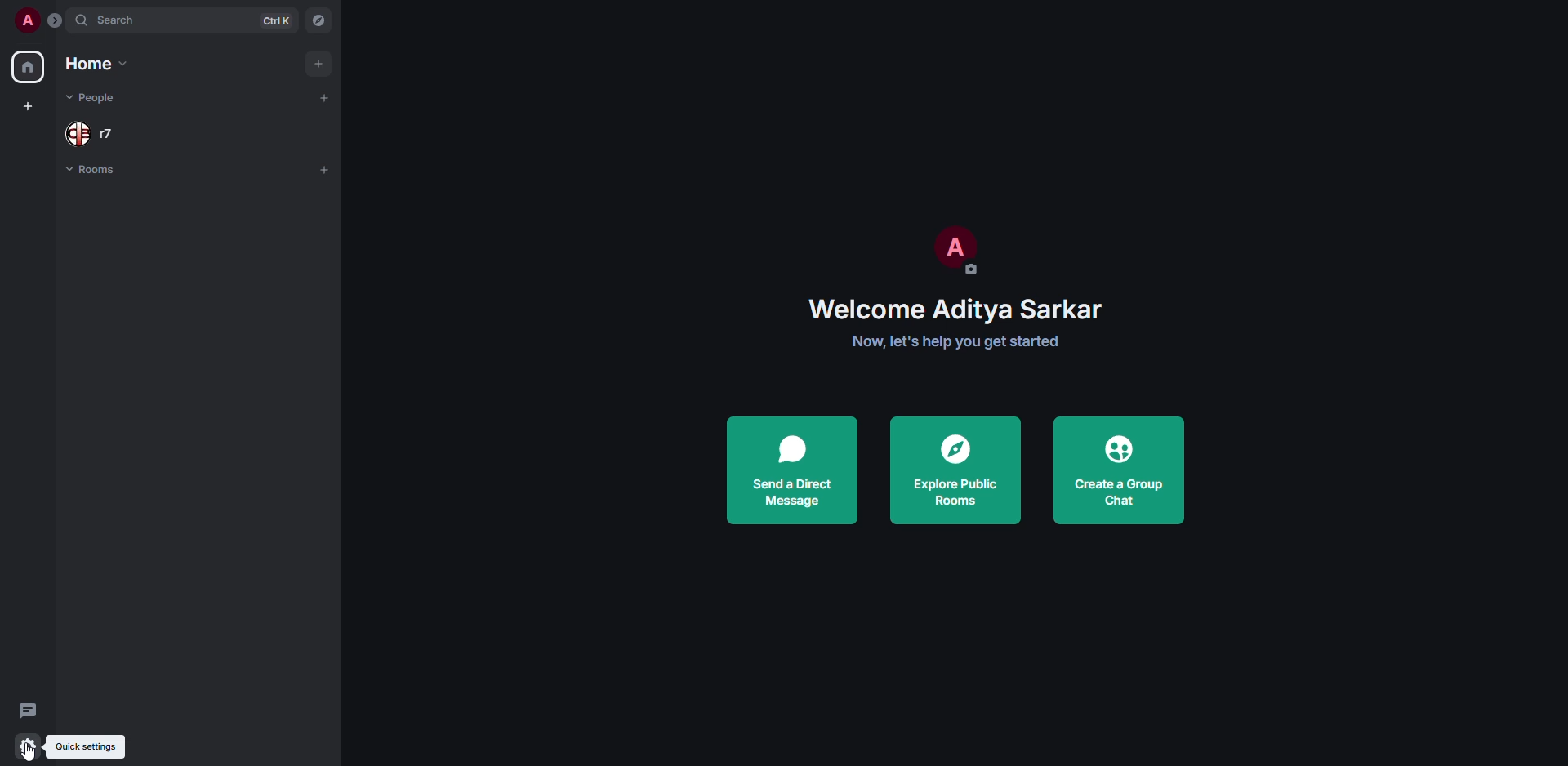 This screenshot has height=766, width=1568. Describe the element at coordinates (29, 65) in the screenshot. I see `home` at that location.